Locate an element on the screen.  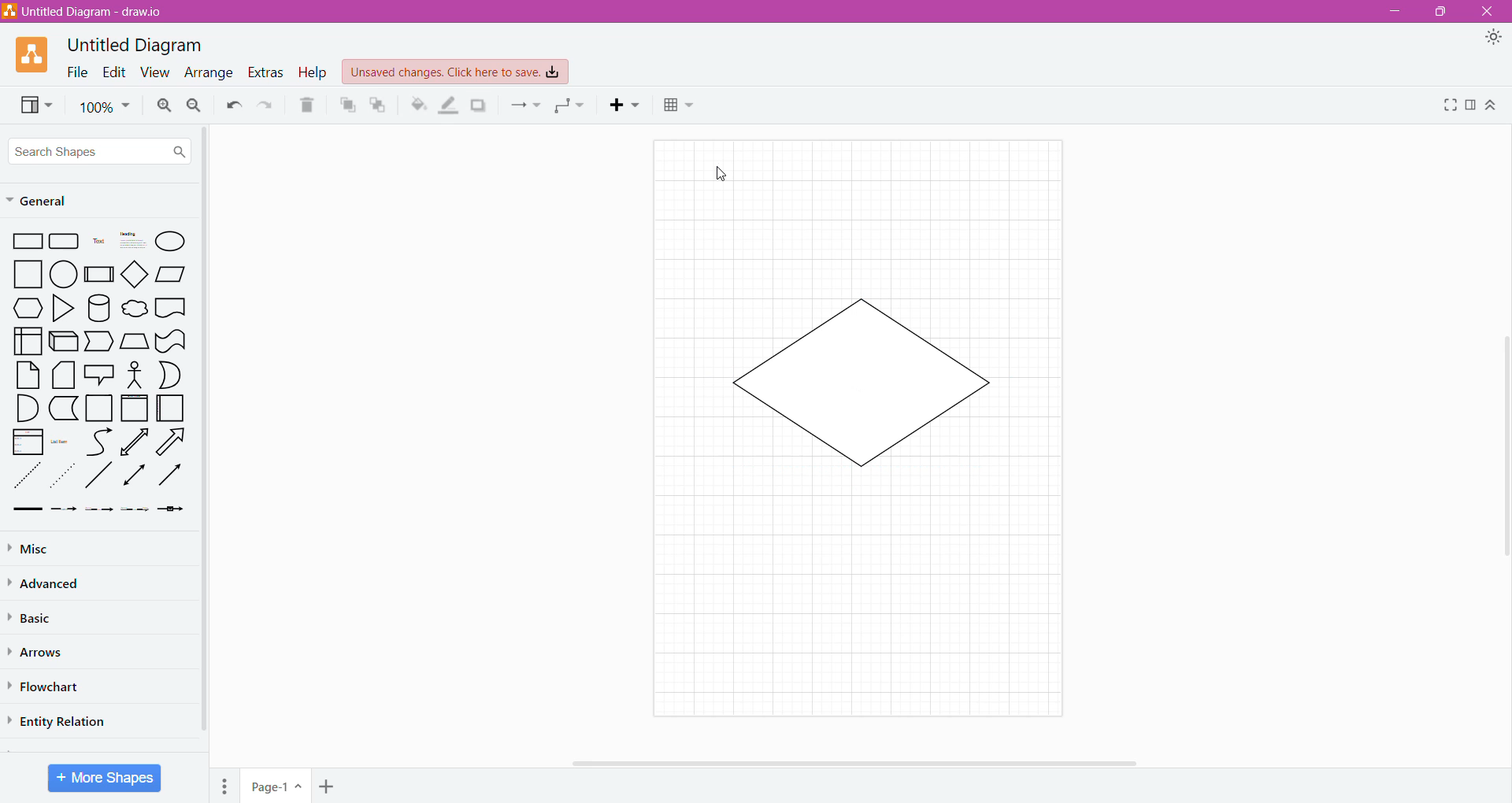
Link is located at coordinates (27, 510).